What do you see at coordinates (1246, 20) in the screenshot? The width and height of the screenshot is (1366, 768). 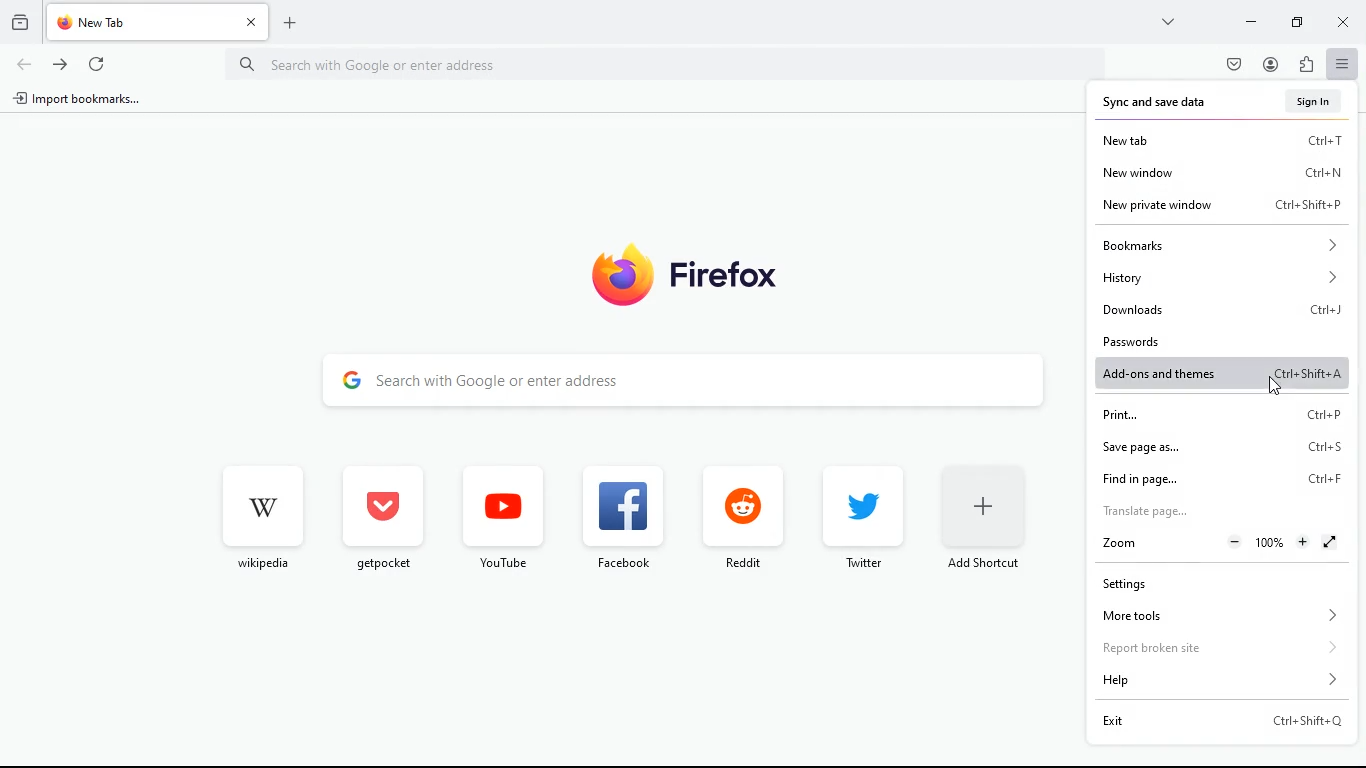 I see `minimize` at bounding box center [1246, 20].